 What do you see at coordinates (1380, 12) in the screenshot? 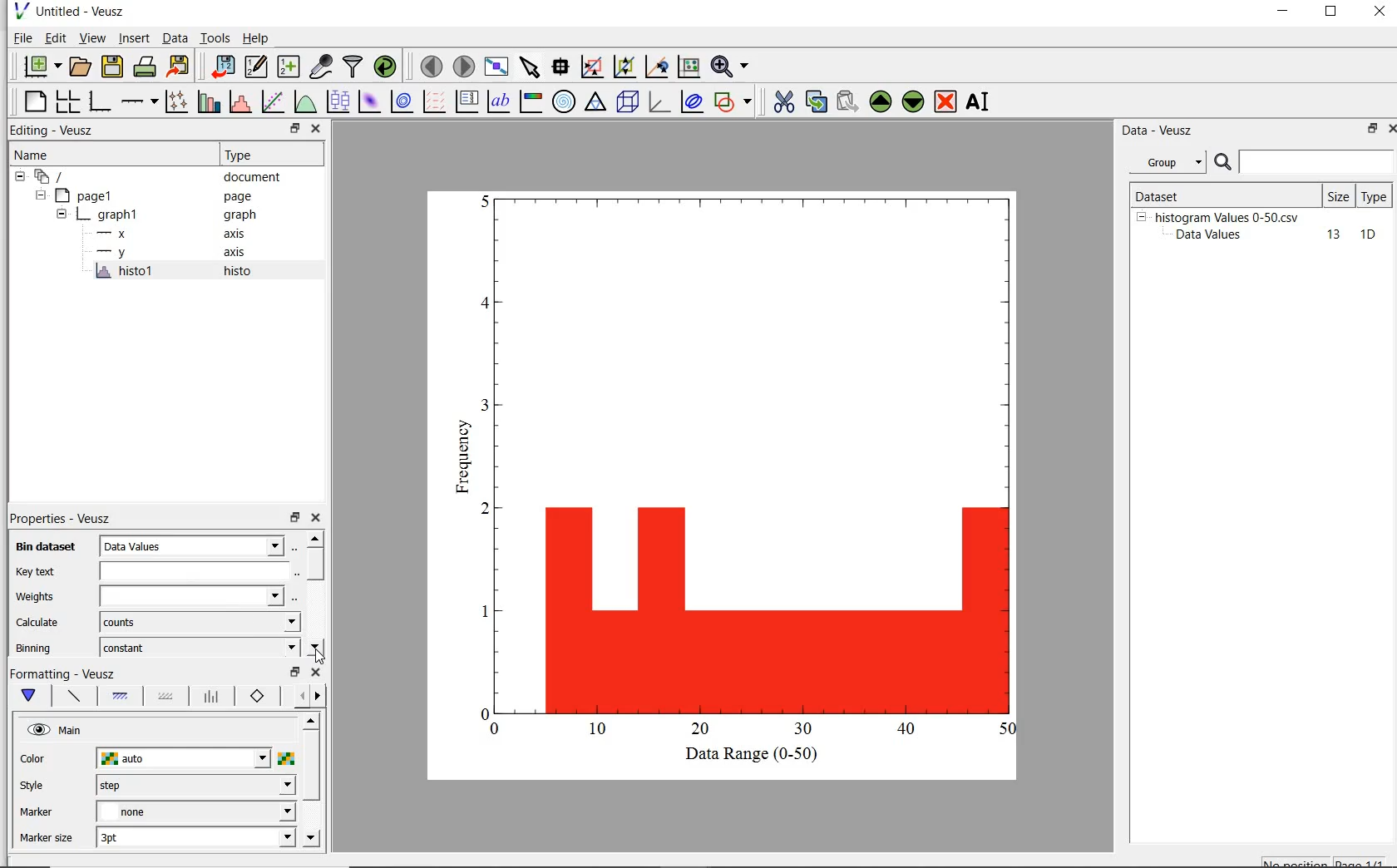
I see `close` at bounding box center [1380, 12].